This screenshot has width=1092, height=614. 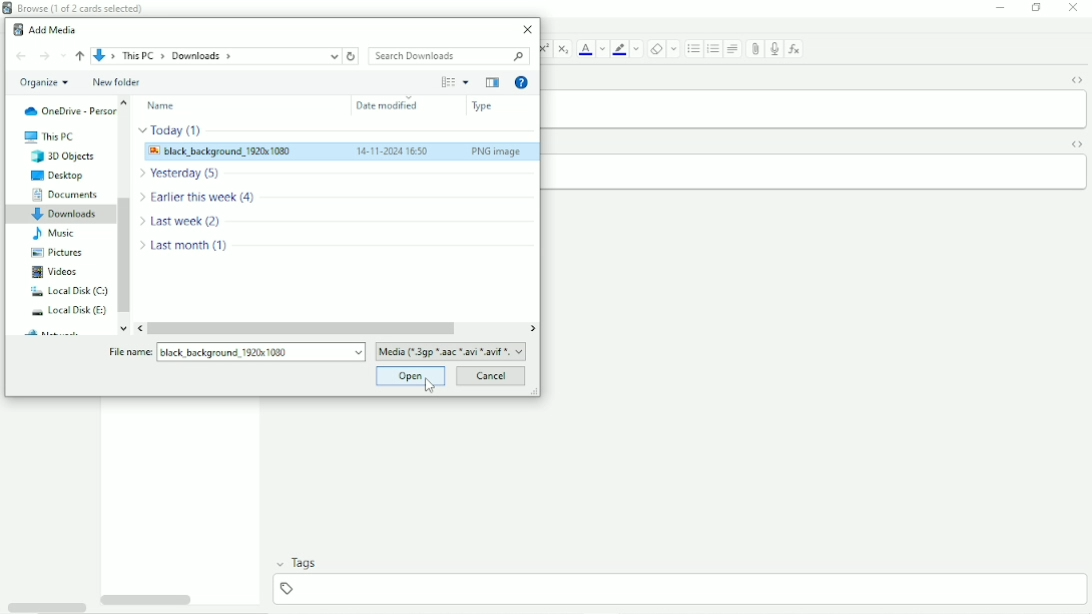 I want to click on File name, so click(x=262, y=351).